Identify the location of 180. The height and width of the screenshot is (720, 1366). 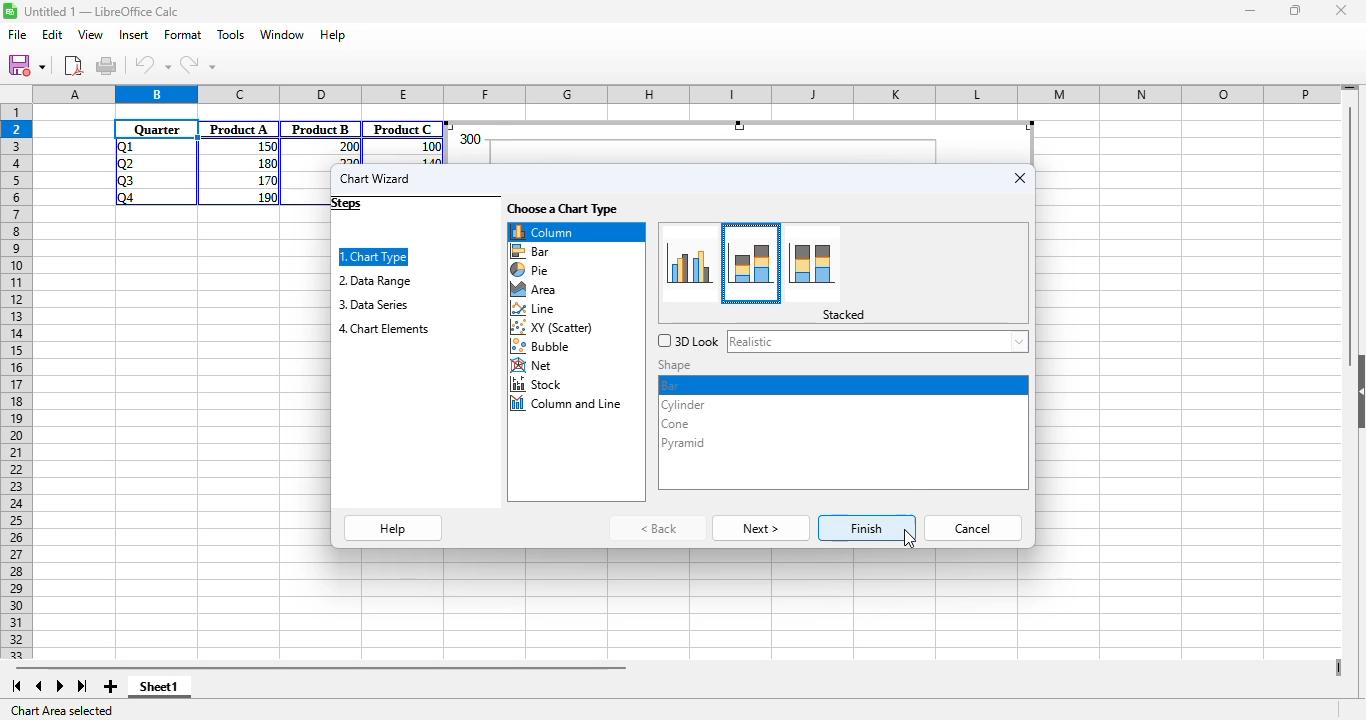
(265, 162).